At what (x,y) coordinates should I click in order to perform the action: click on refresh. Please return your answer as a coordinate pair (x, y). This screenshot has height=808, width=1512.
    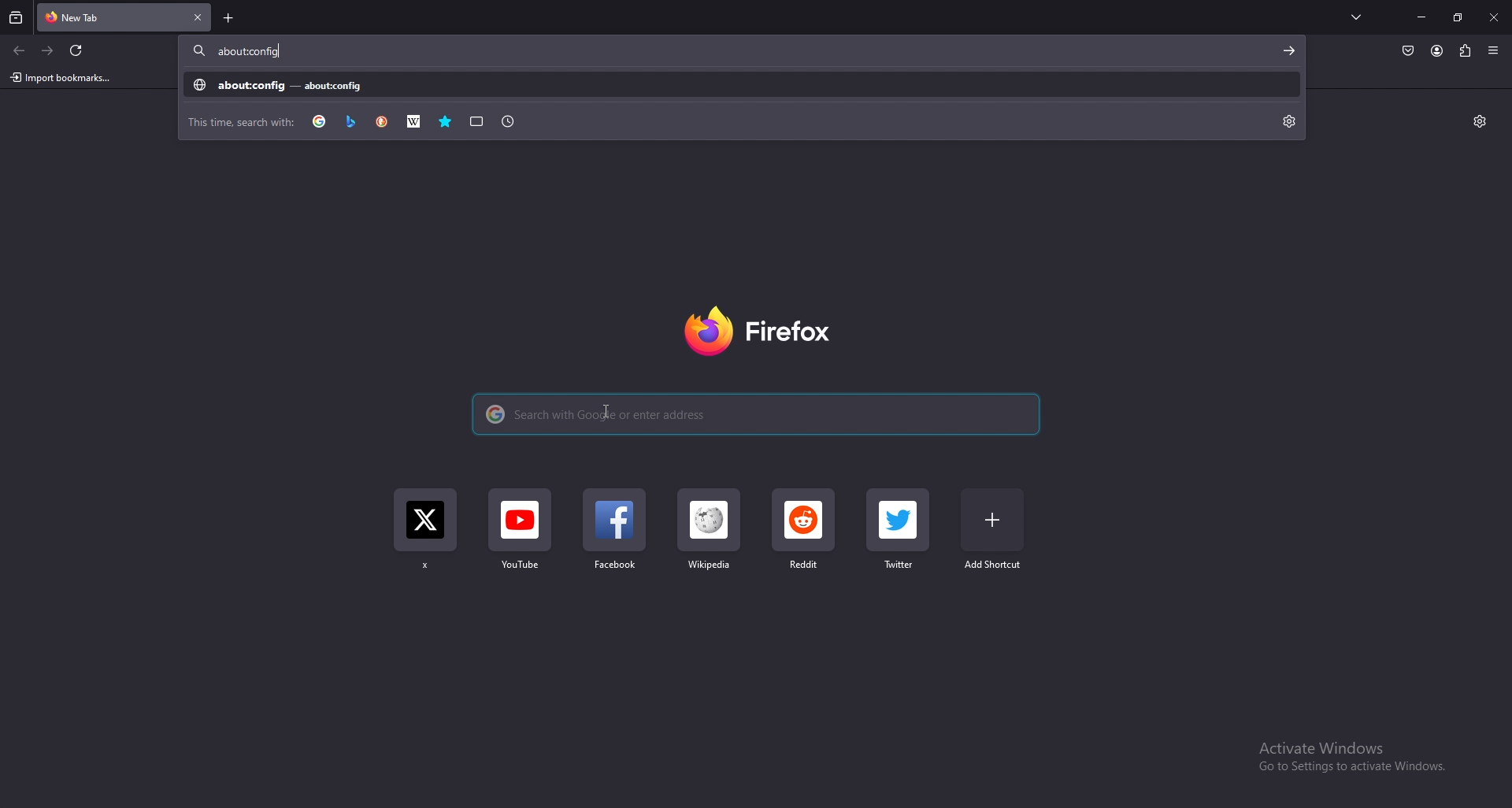
    Looking at the image, I should click on (76, 50).